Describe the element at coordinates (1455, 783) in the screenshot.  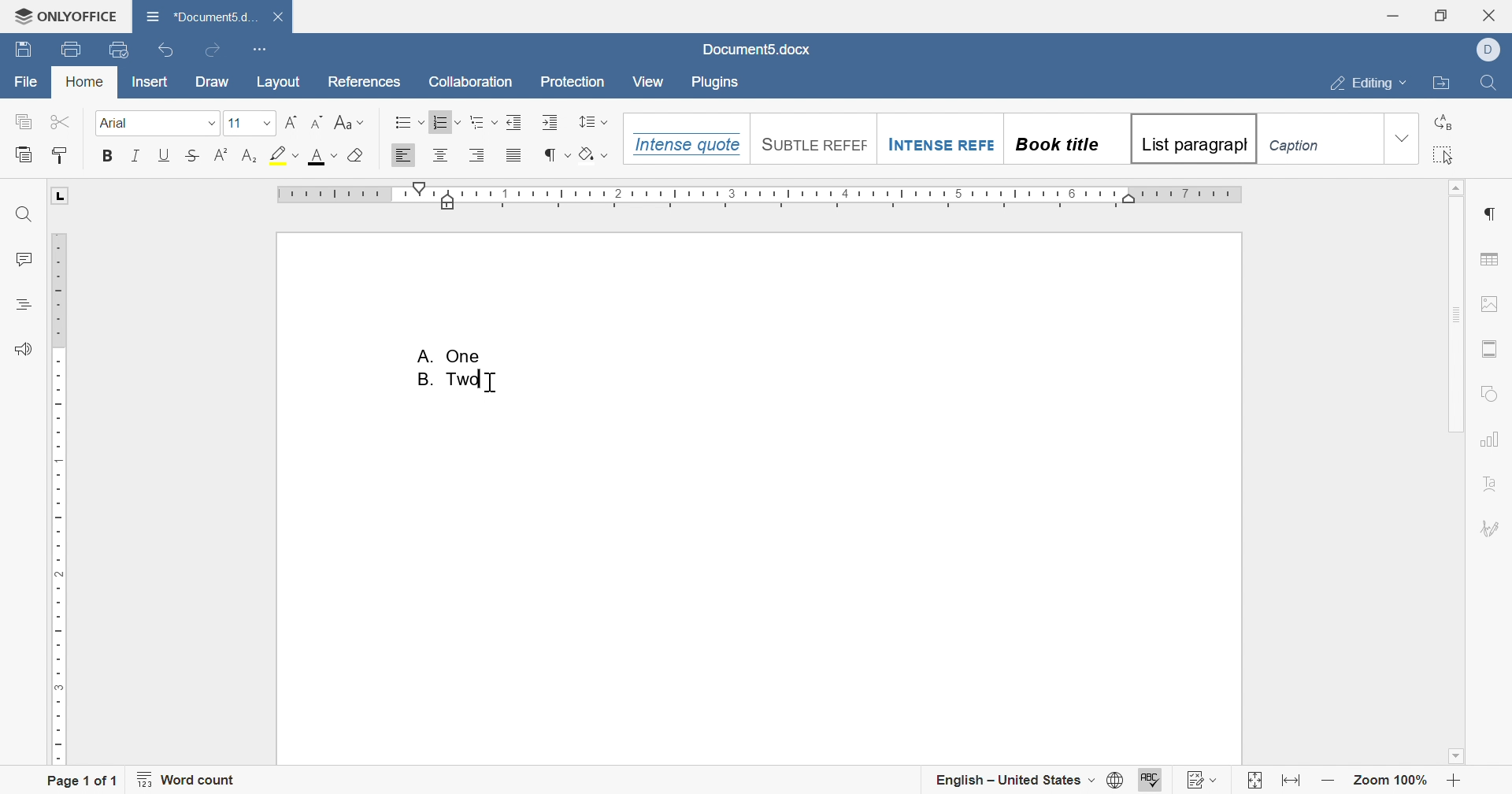
I see `zoom in` at that location.